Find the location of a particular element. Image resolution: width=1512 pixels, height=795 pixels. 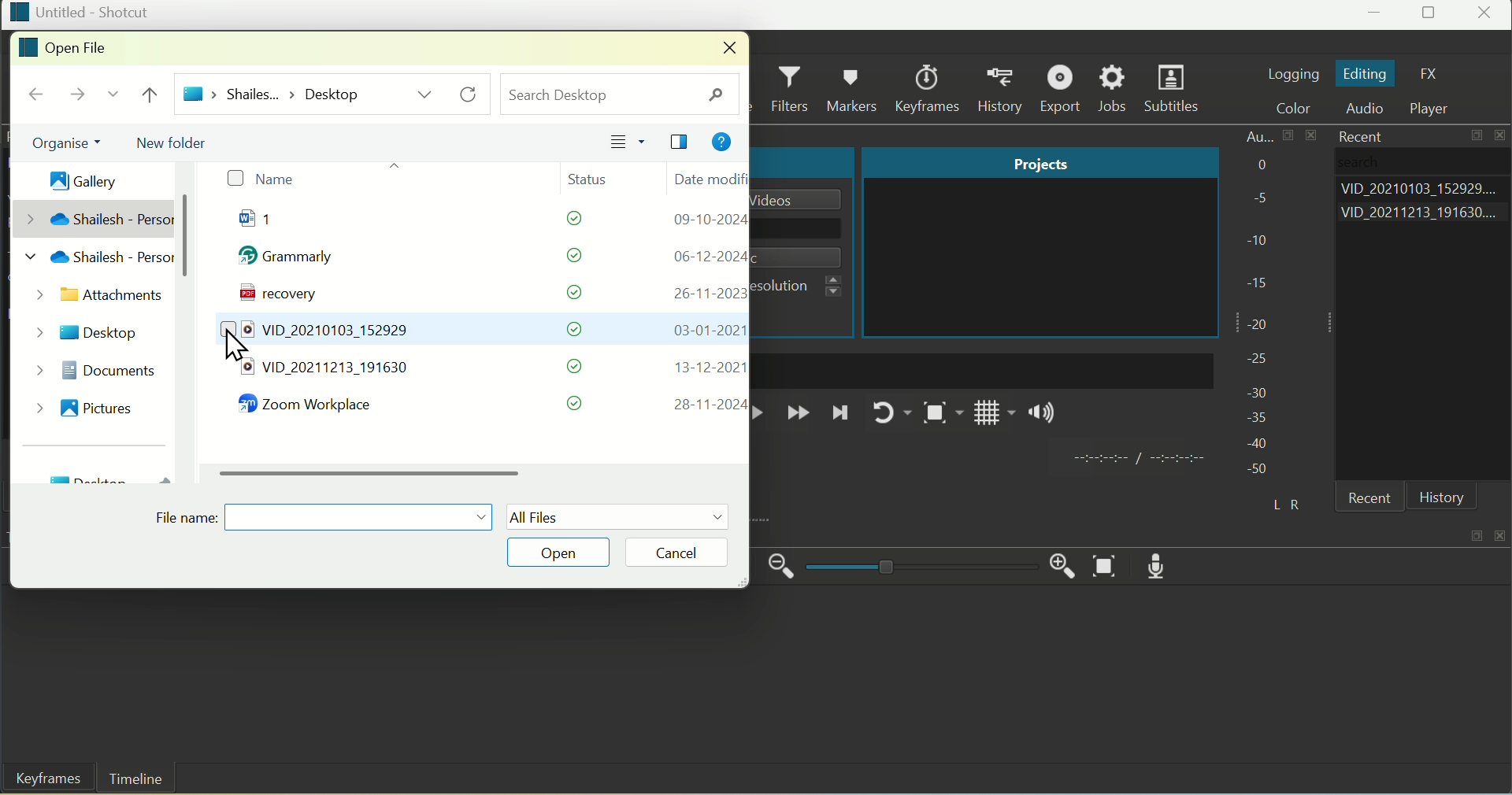

Documents is located at coordinates (113, 369).